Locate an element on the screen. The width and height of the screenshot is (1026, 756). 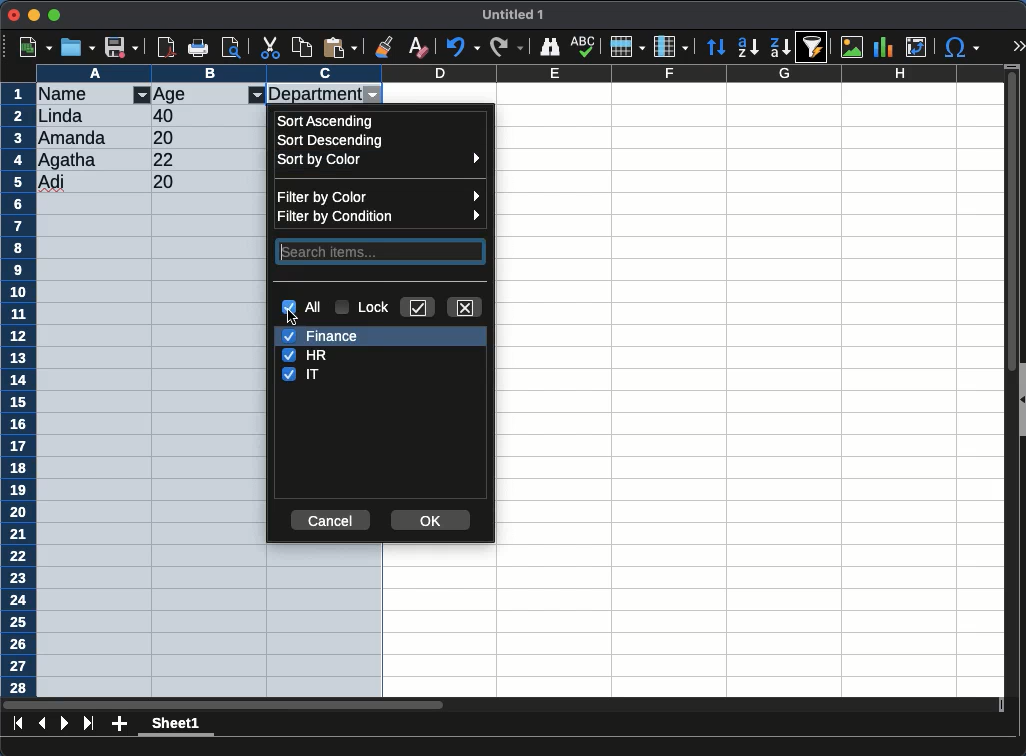
close is located at coordinates (14, 16).